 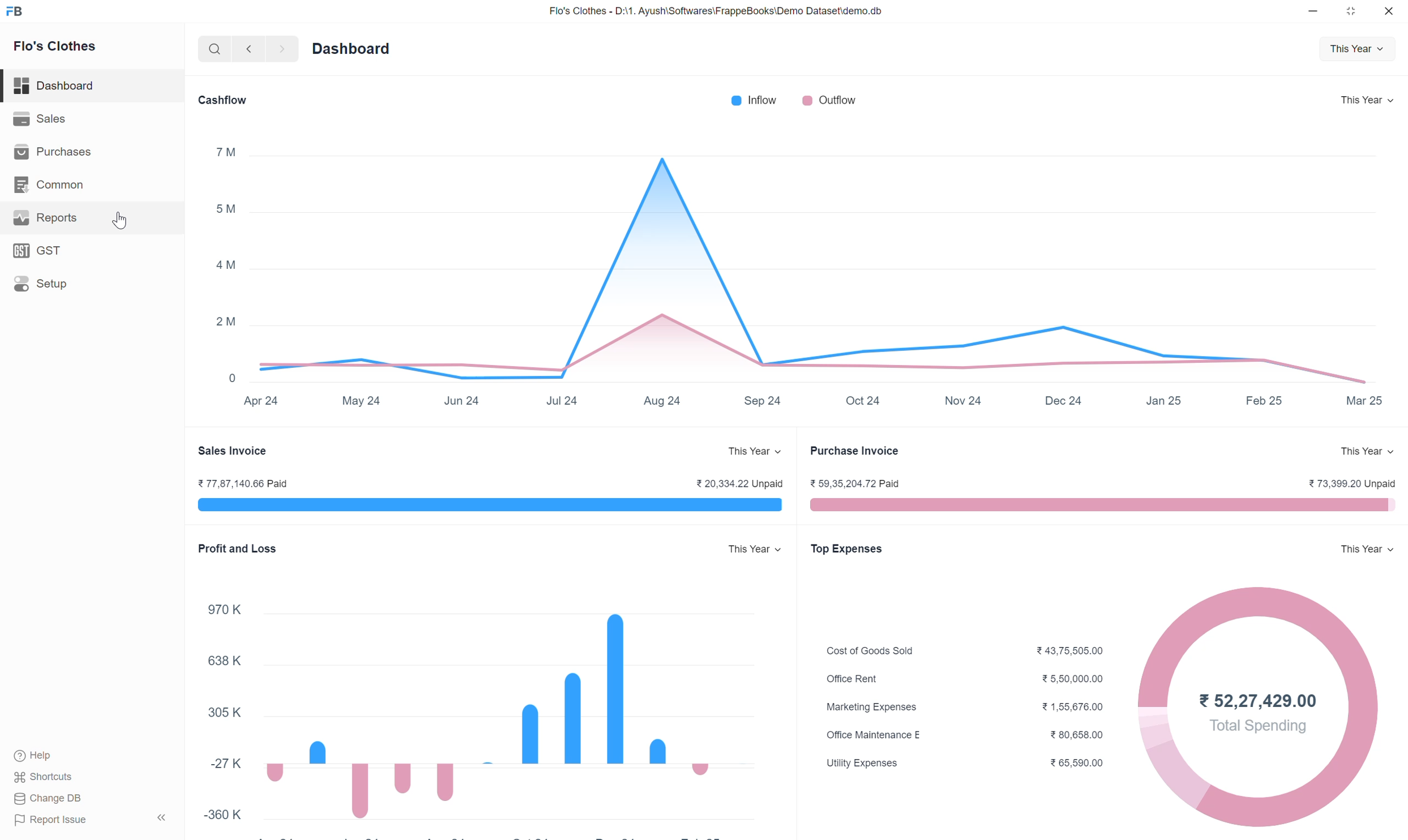 What do you see at coordinates (806, 262) in the screenshot?
I see `Line chart` at bounding box center [806, 262].